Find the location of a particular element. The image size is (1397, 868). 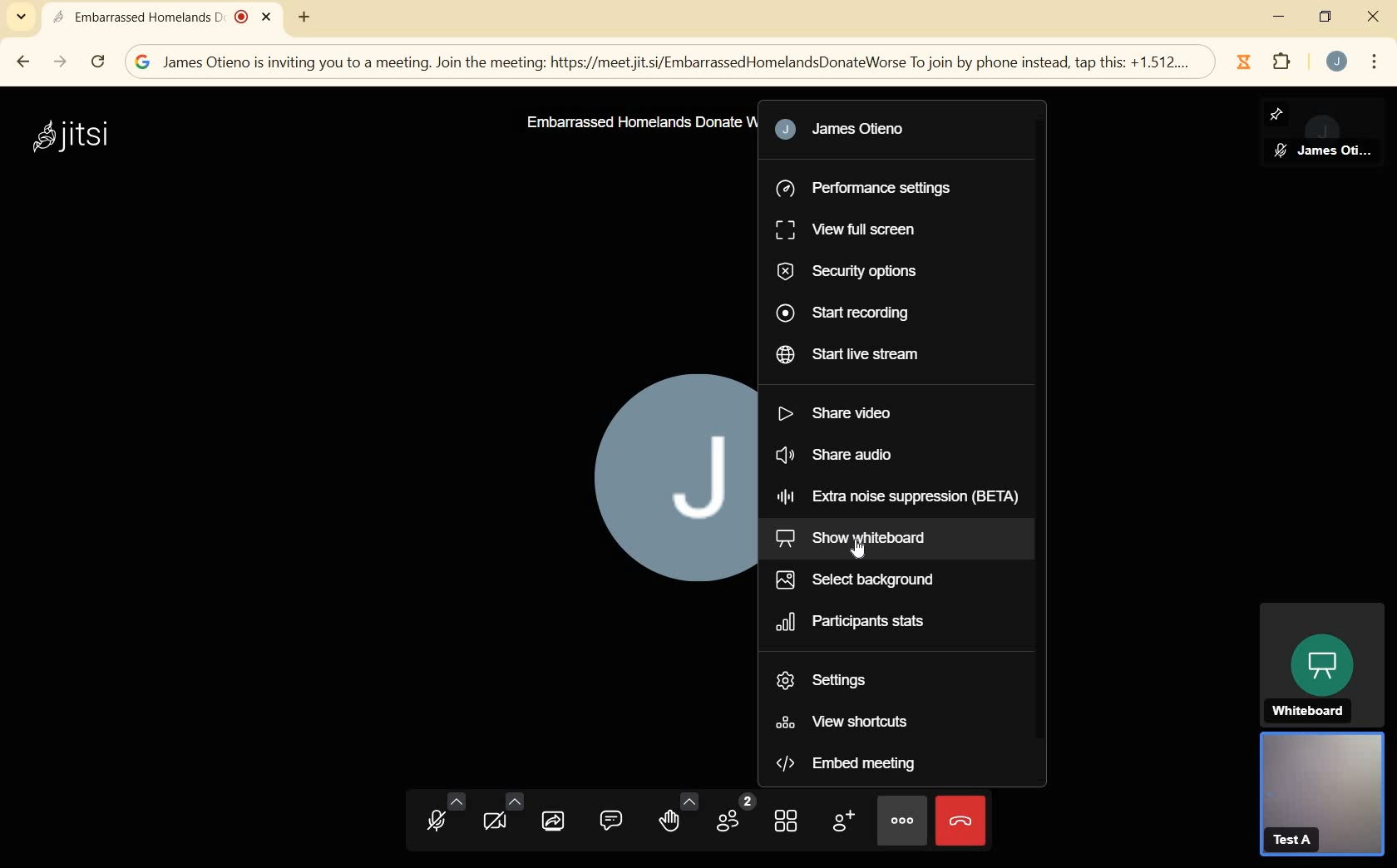

START LIVE STREAM is located at coordinates (859, 355).